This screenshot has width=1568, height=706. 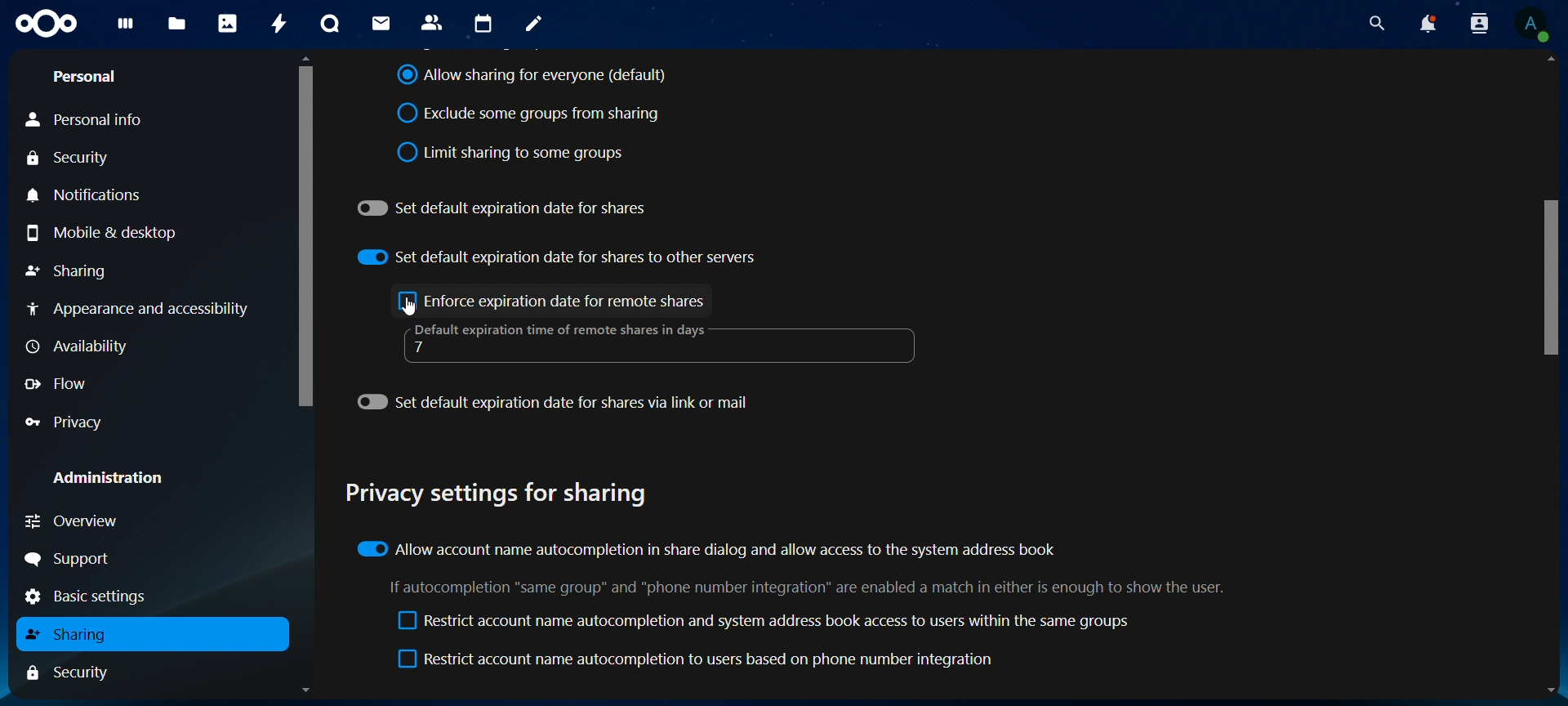 I want to click on security, so click(x=78, y=158).